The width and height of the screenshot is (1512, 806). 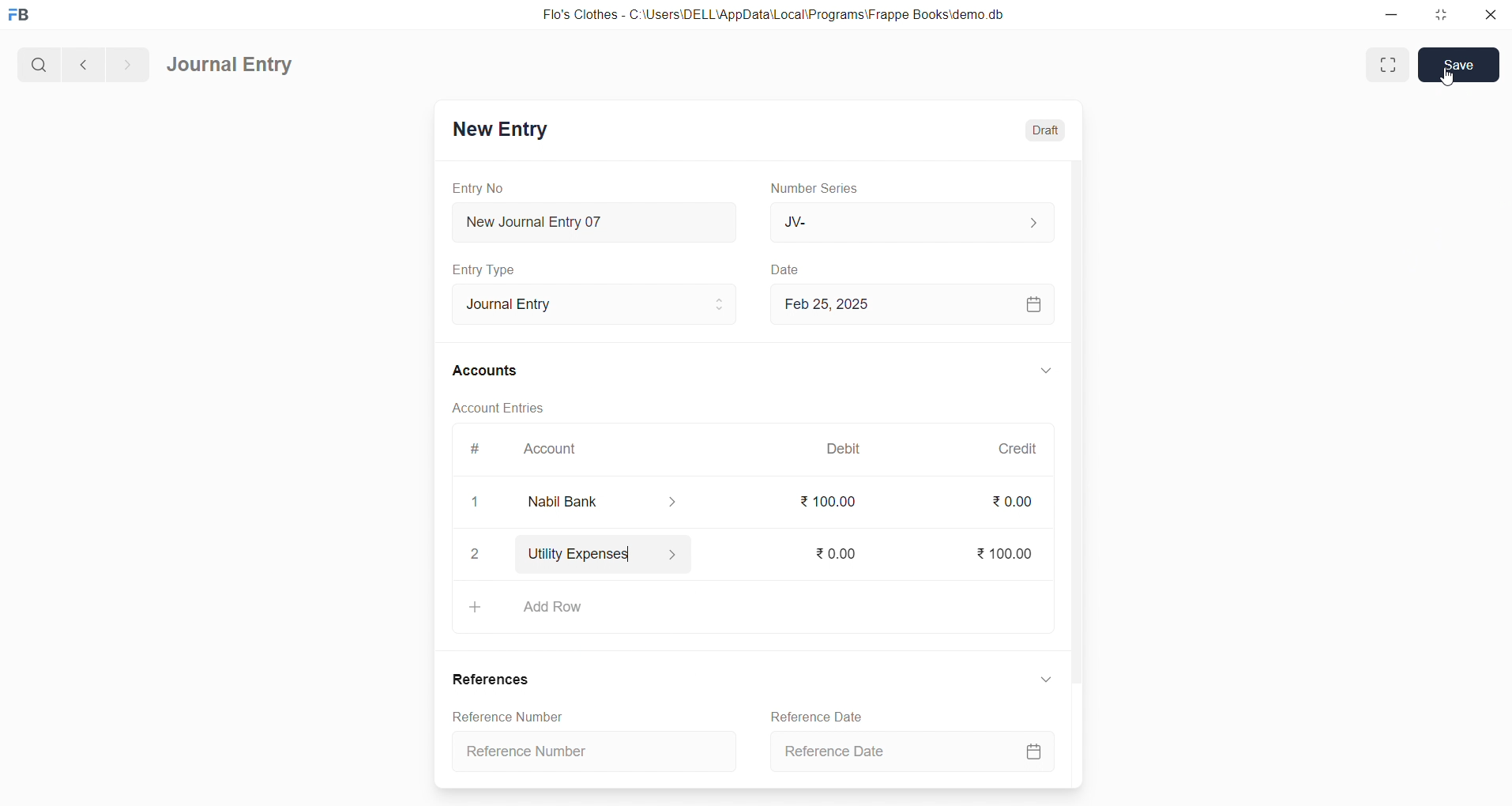 I want to click on expand/collapse, so click(x=1039, y=371).